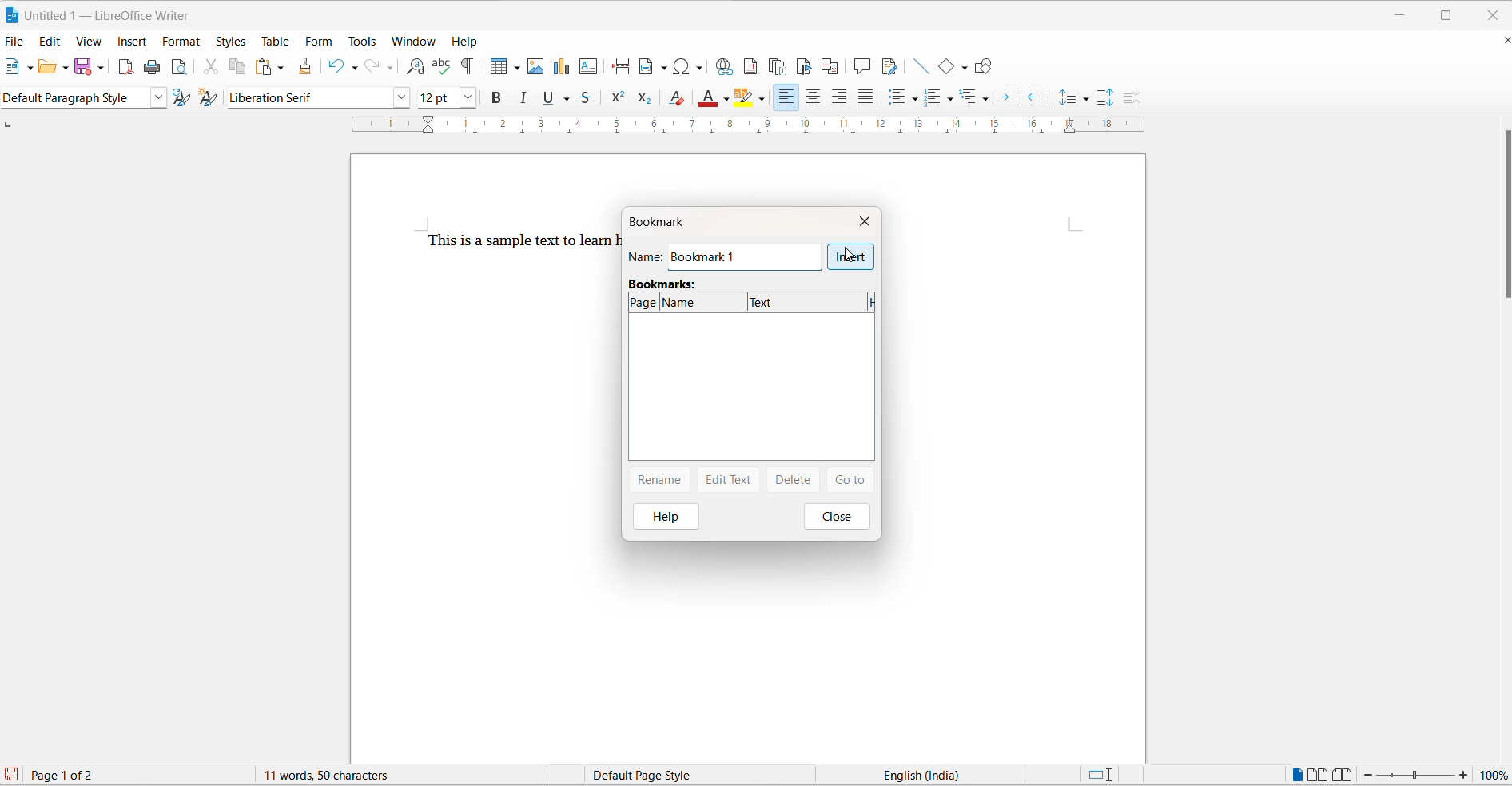 Image resolution: width=1512 pixels, height=786 pixels. I want to click on font name options, so click(401, 99).